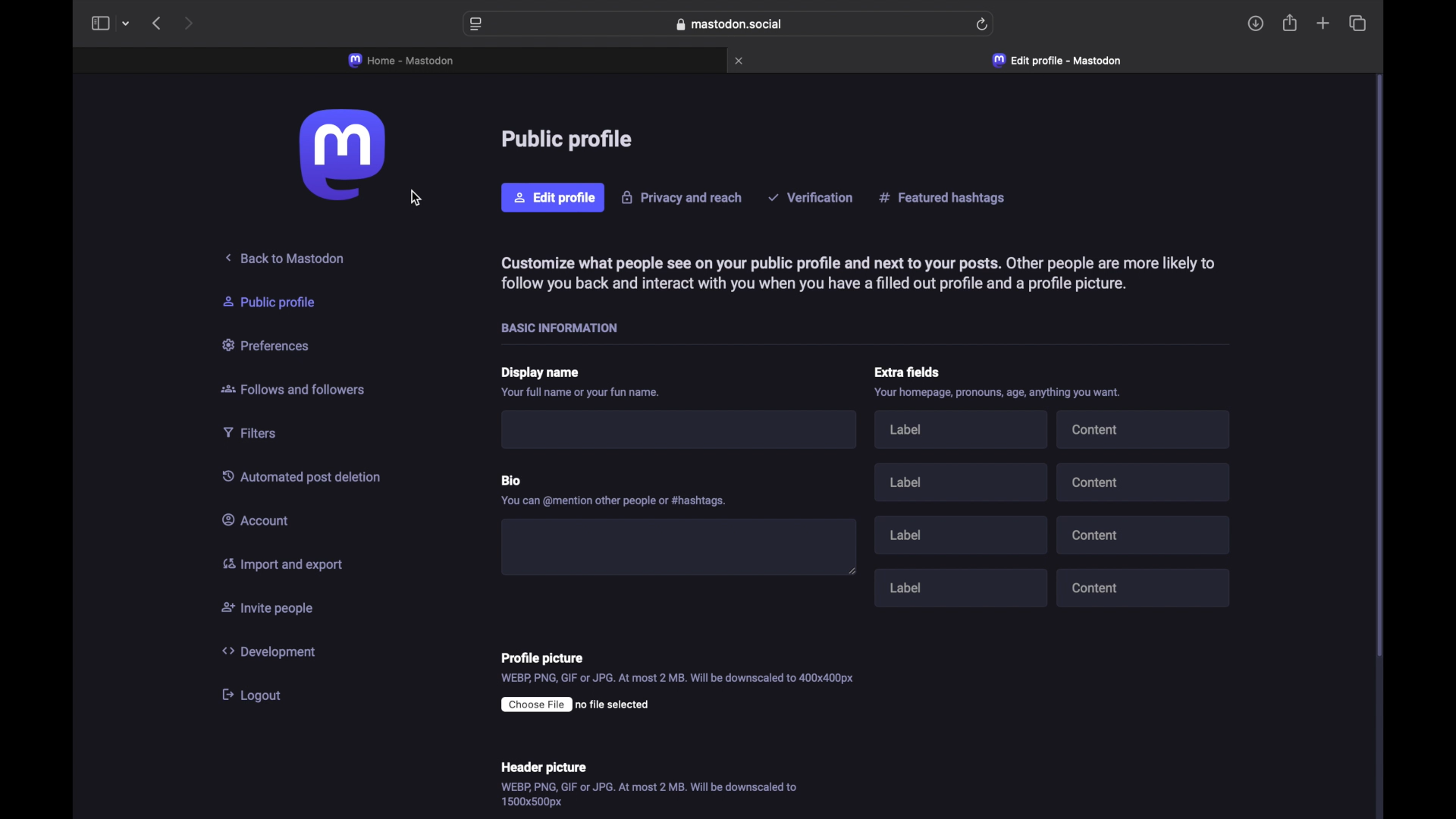 The image size is (1456, 819). Describe the element at coordinates (682, 197) in the screenshot. I see `privacy and reach` at that location.